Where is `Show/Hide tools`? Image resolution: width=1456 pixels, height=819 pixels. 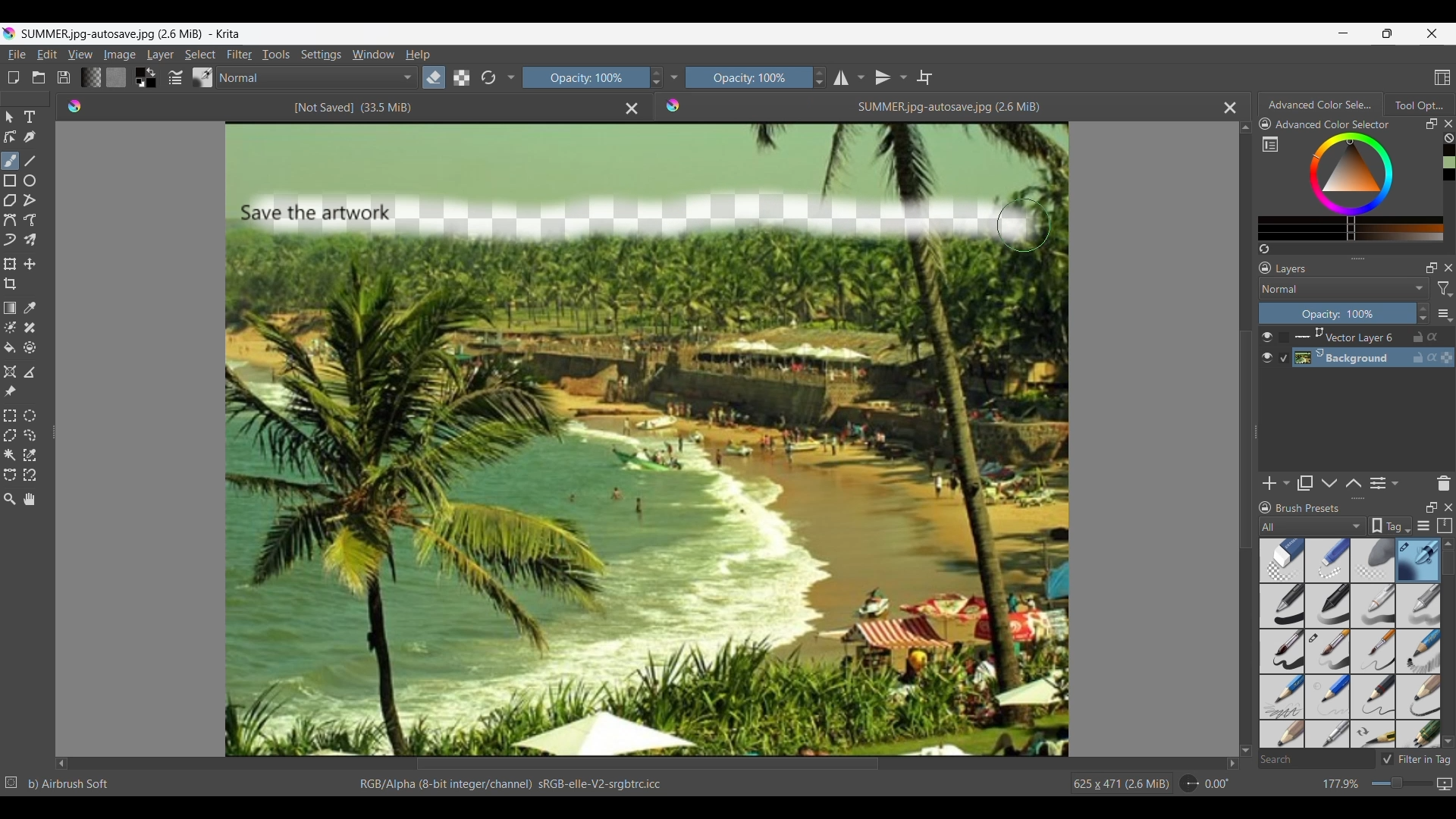 Show/Hide tools is located at coordinates (512, 78).